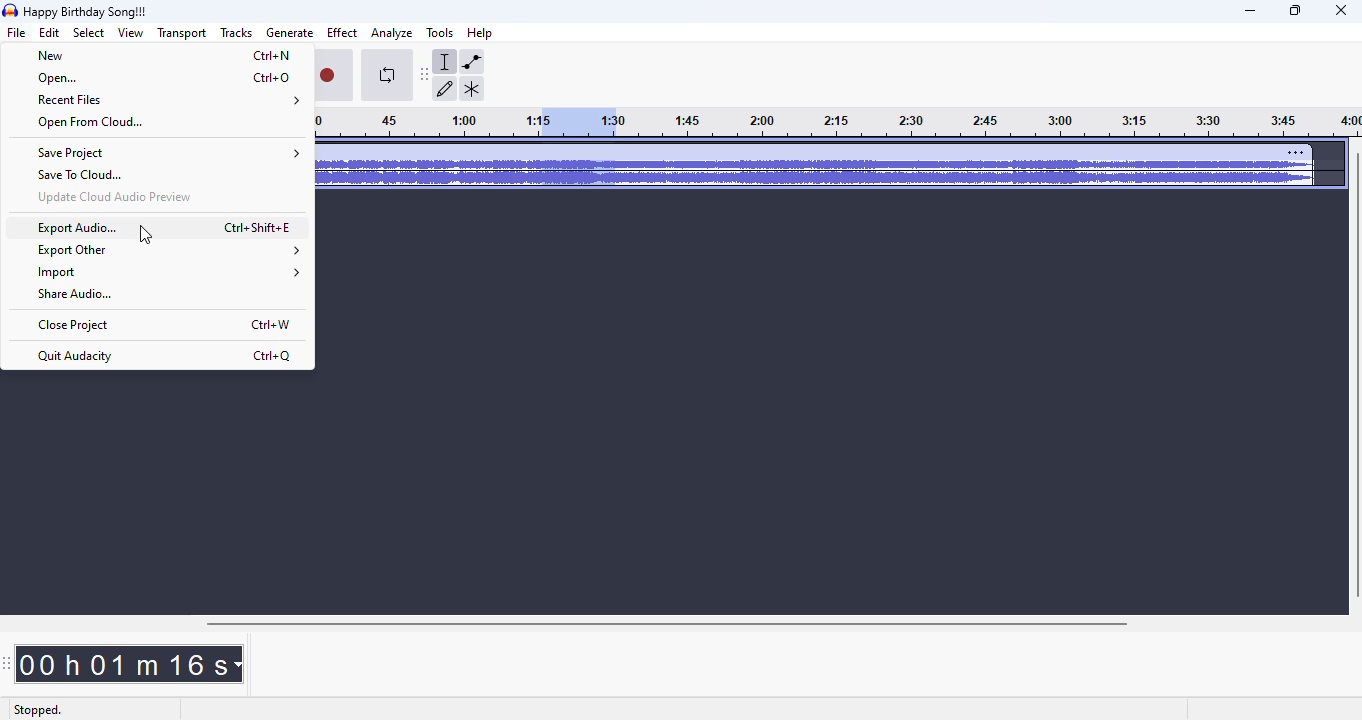  I want to click on shortcut for quit audacity, so click(273, 356).